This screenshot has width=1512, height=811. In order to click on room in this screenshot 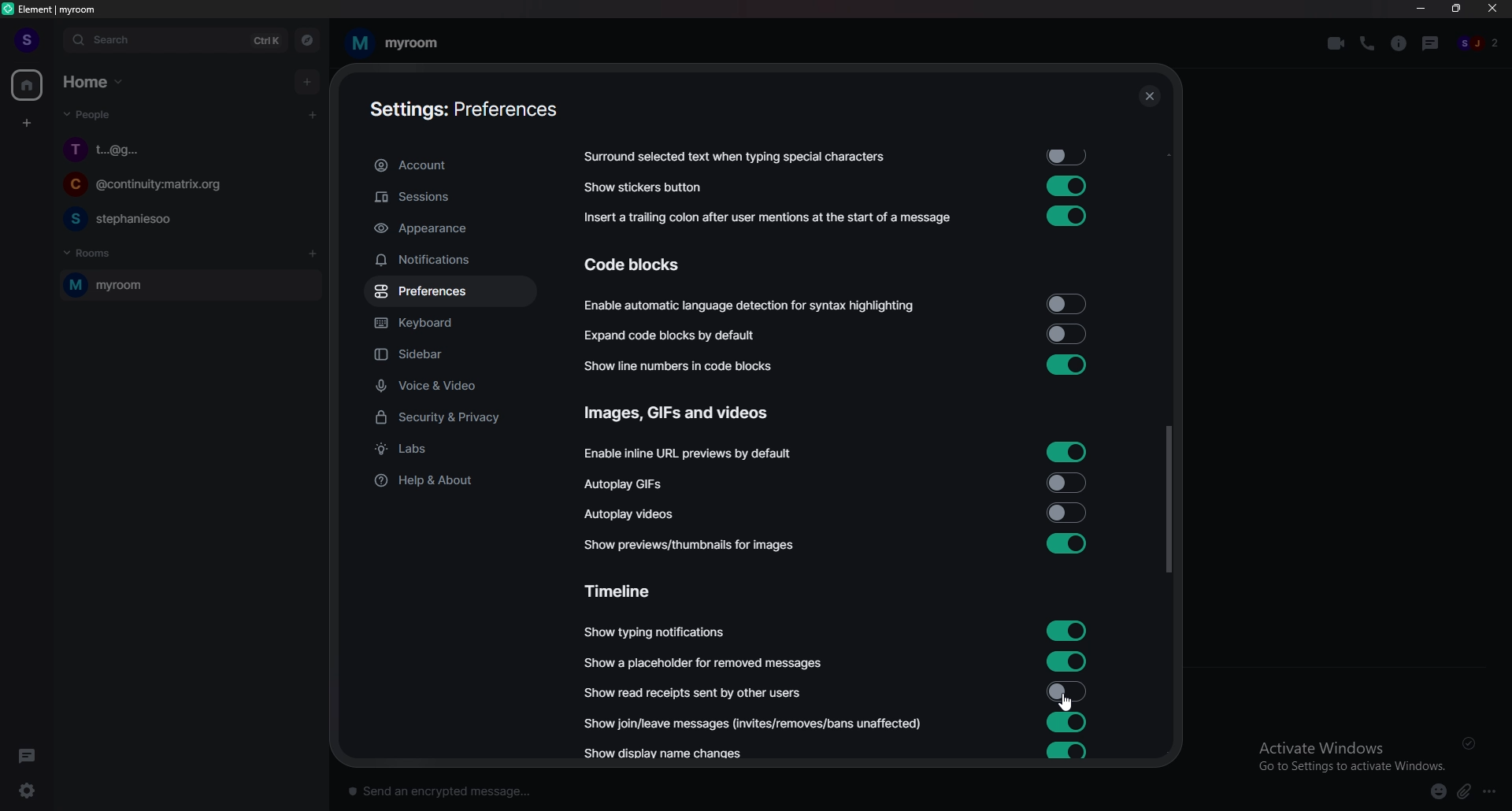, I will do `click(187, 286)`.